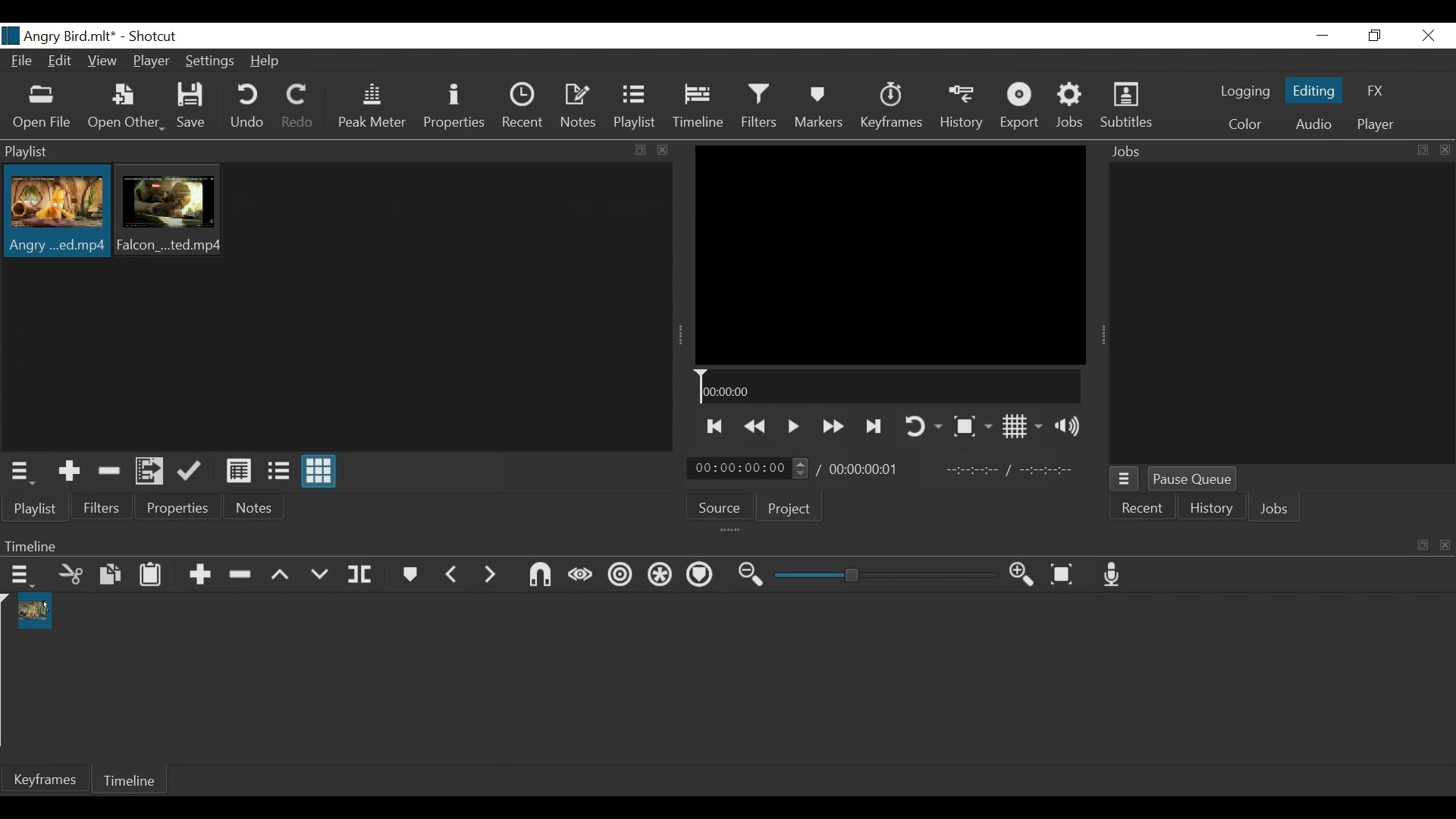 This screenshot has height=819, width=1456. What do you see at coordinates (152, 37) in the screenshot?
I see `Shotcut` at bounding box center [152, 37].